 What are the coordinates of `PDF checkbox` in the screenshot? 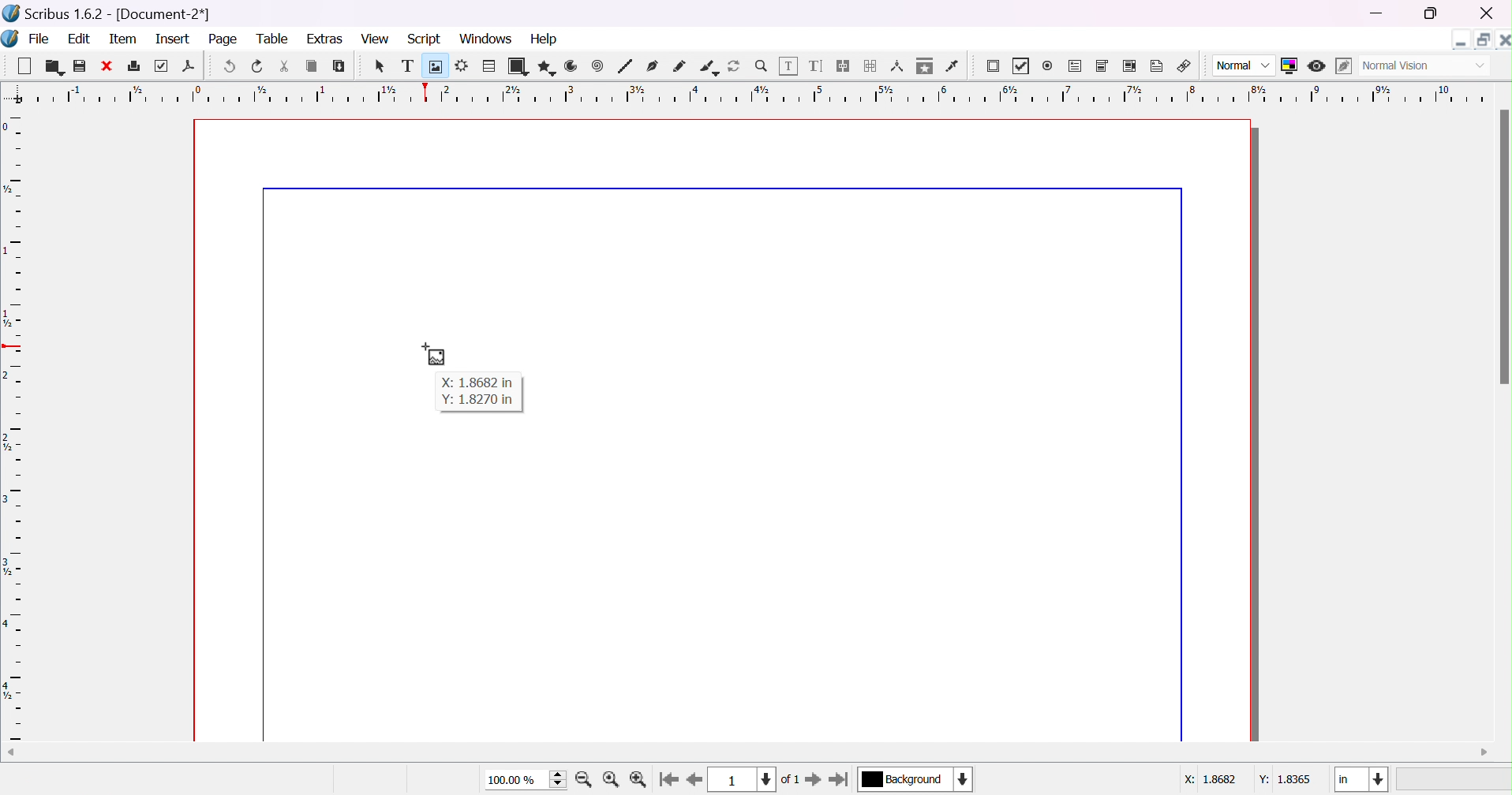 It's located at (1025, 66).